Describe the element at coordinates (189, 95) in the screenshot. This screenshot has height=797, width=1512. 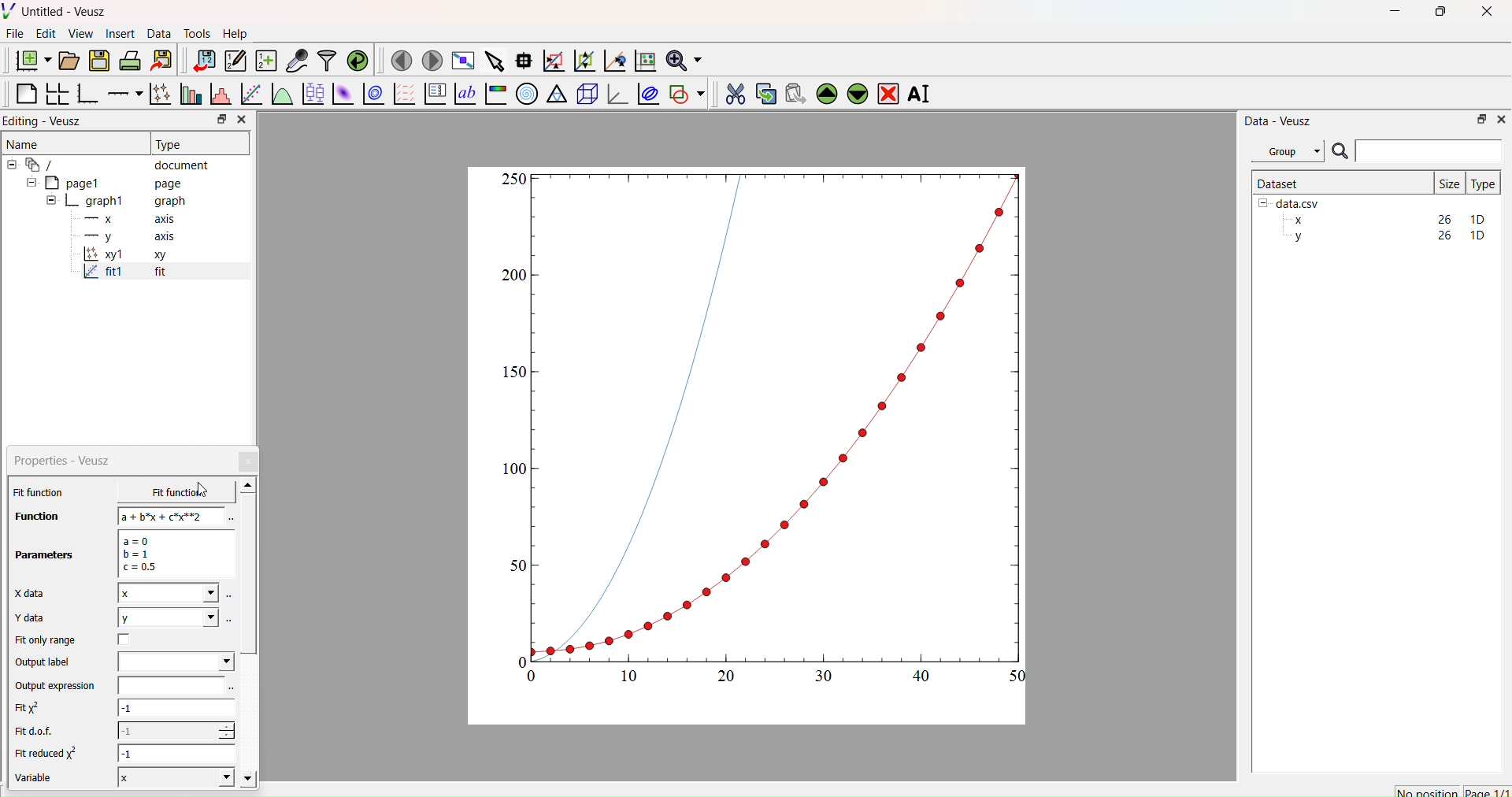
I see `Plot bar charts` at that location.